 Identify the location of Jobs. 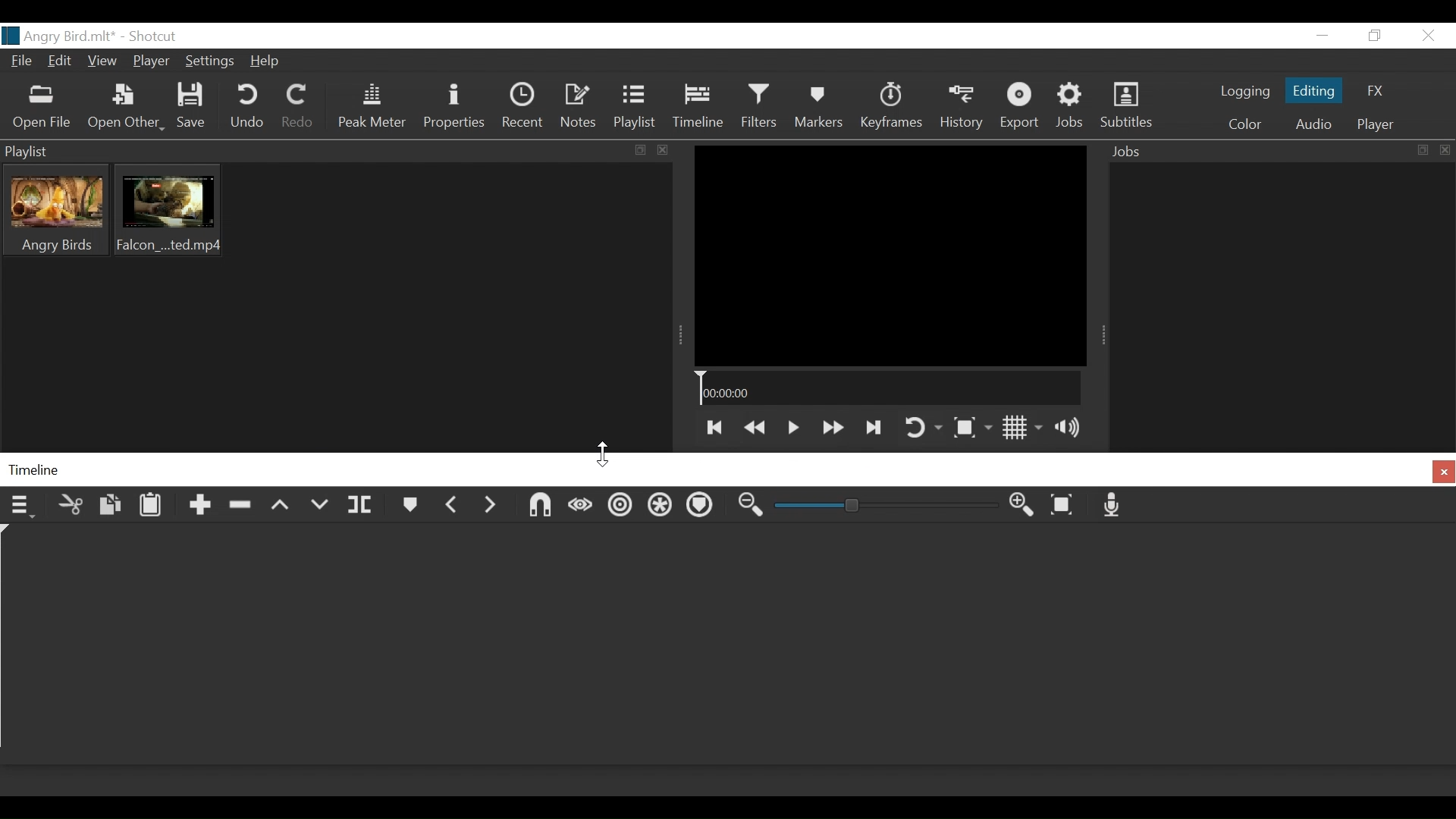
(1075, 106).